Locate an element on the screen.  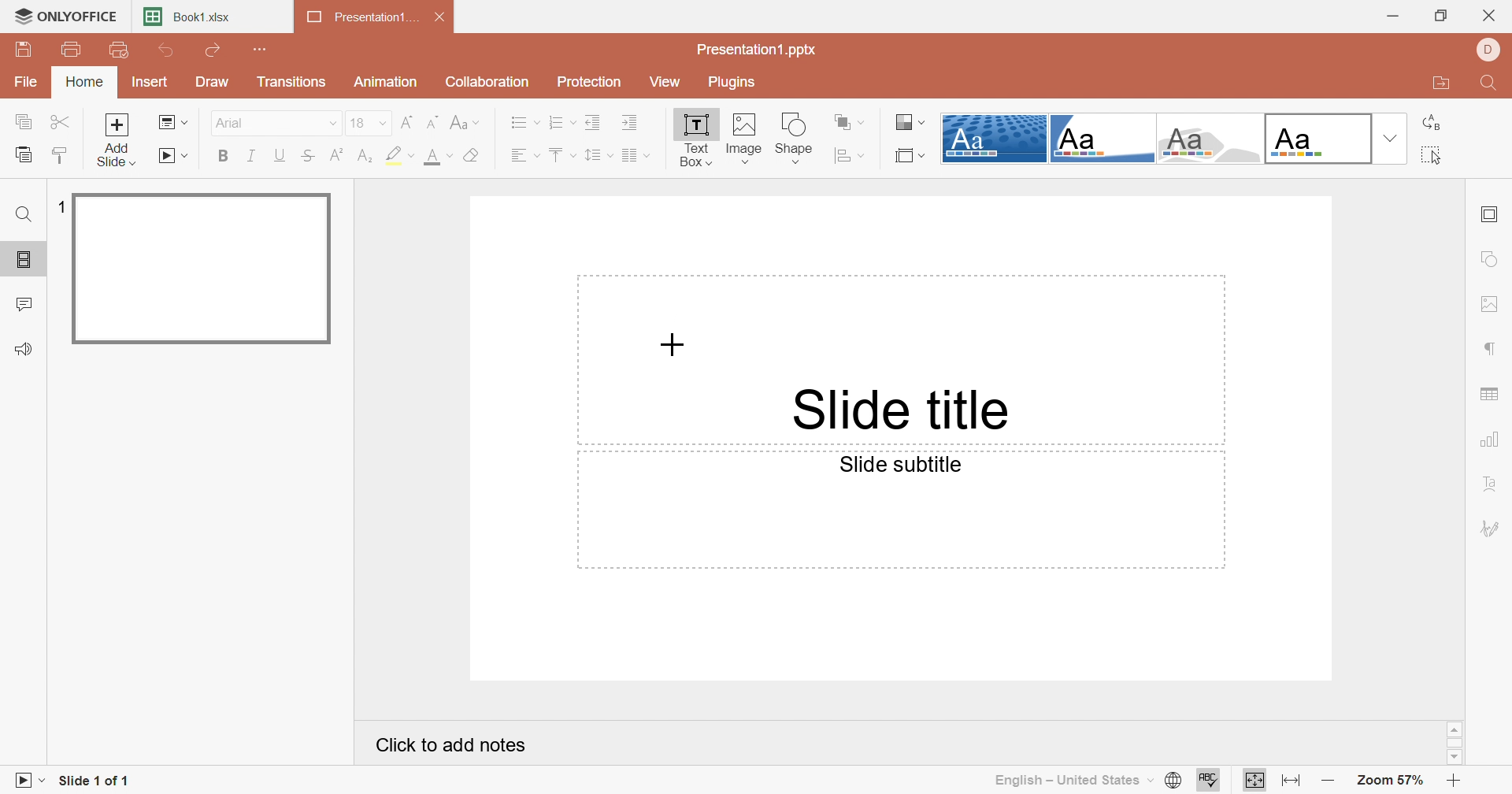
Chart settings is located at coordinates (1492, 441).